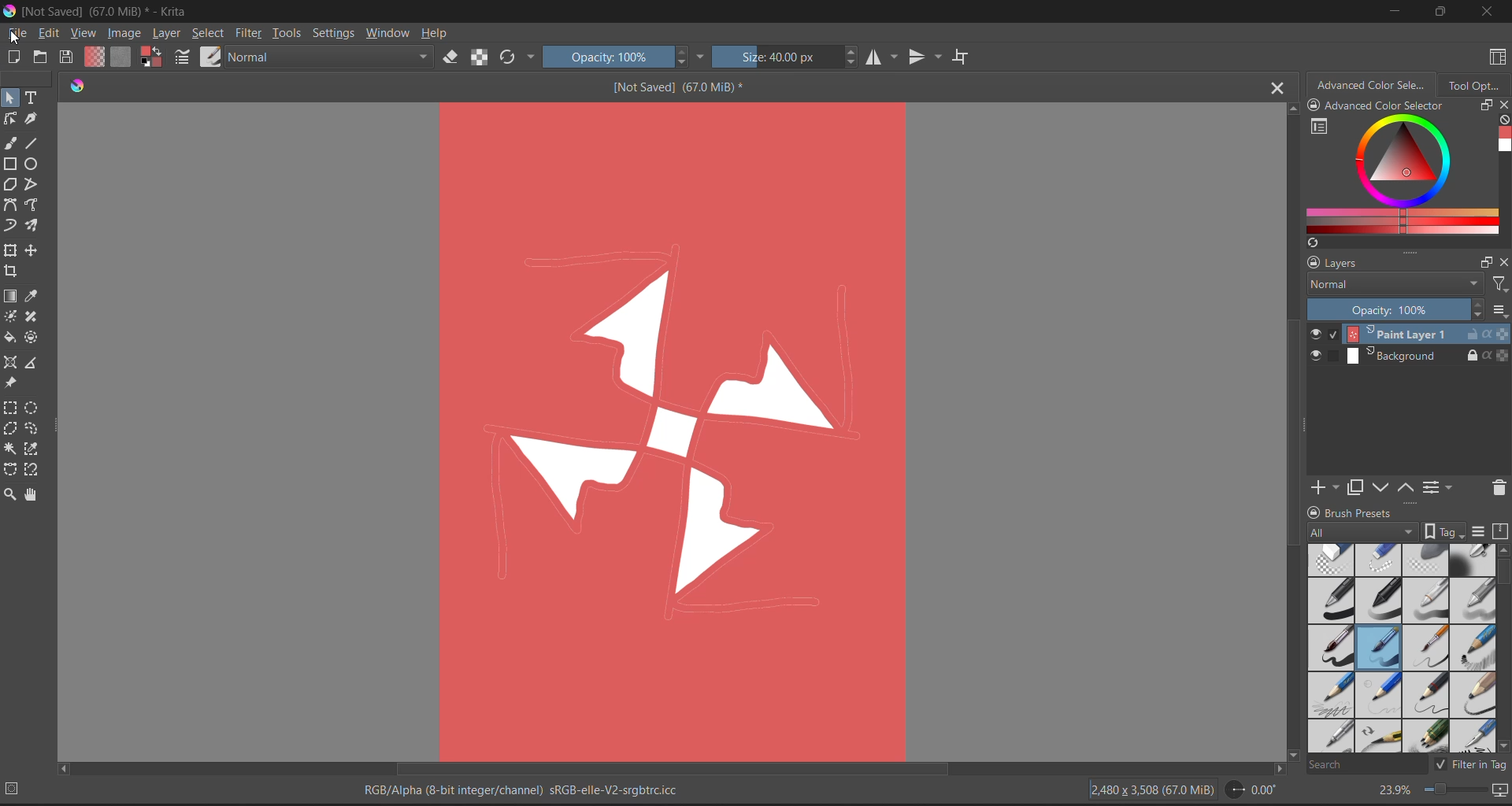 This screenshot has width=1512, height=806. Describe the element at coordinates (1408, 486) in the screenshot. I see `mask up` at that location.